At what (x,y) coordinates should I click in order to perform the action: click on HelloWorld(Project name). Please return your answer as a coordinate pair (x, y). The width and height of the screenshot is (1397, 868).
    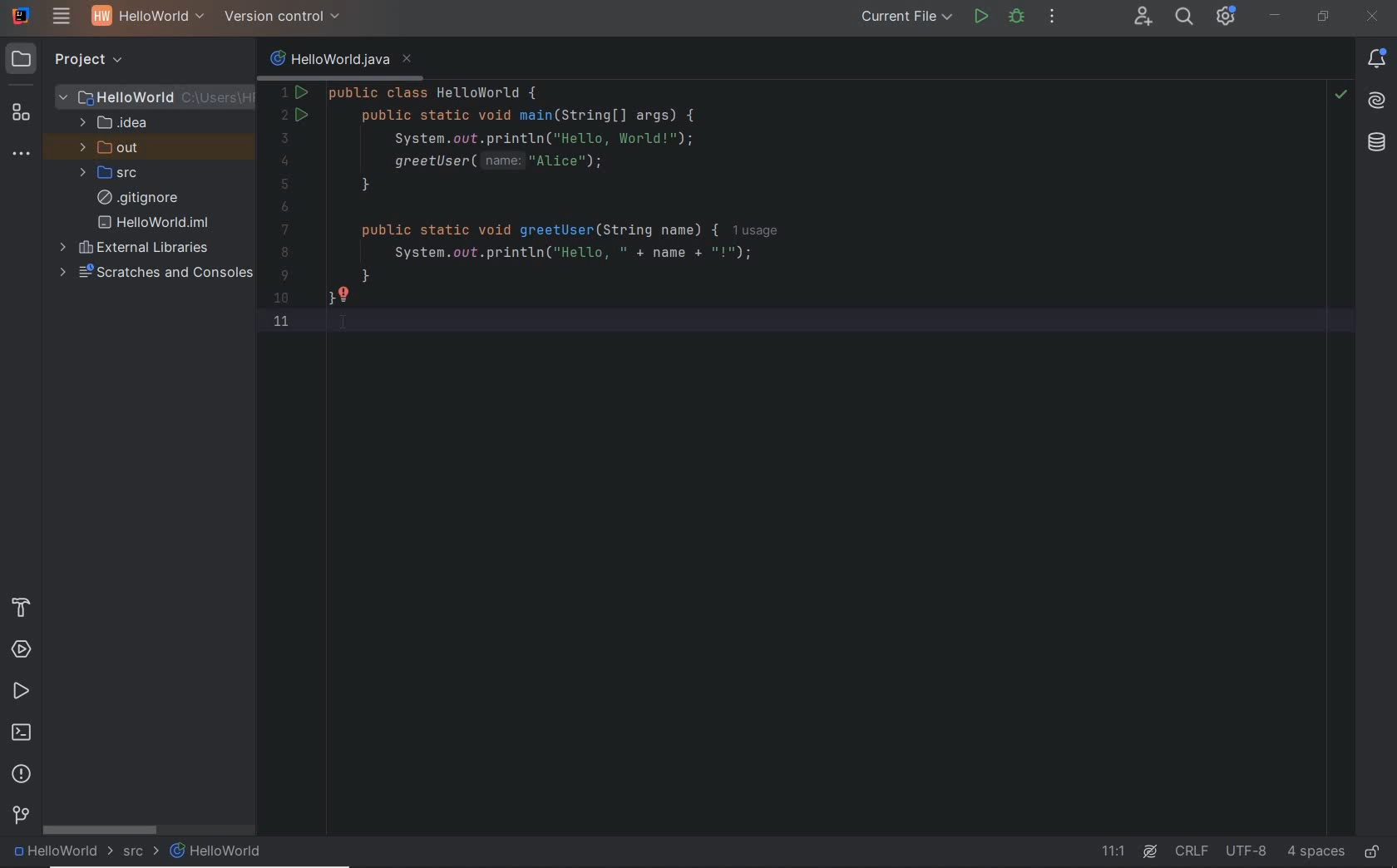
    Looking at the image, I should click on (144, 18).